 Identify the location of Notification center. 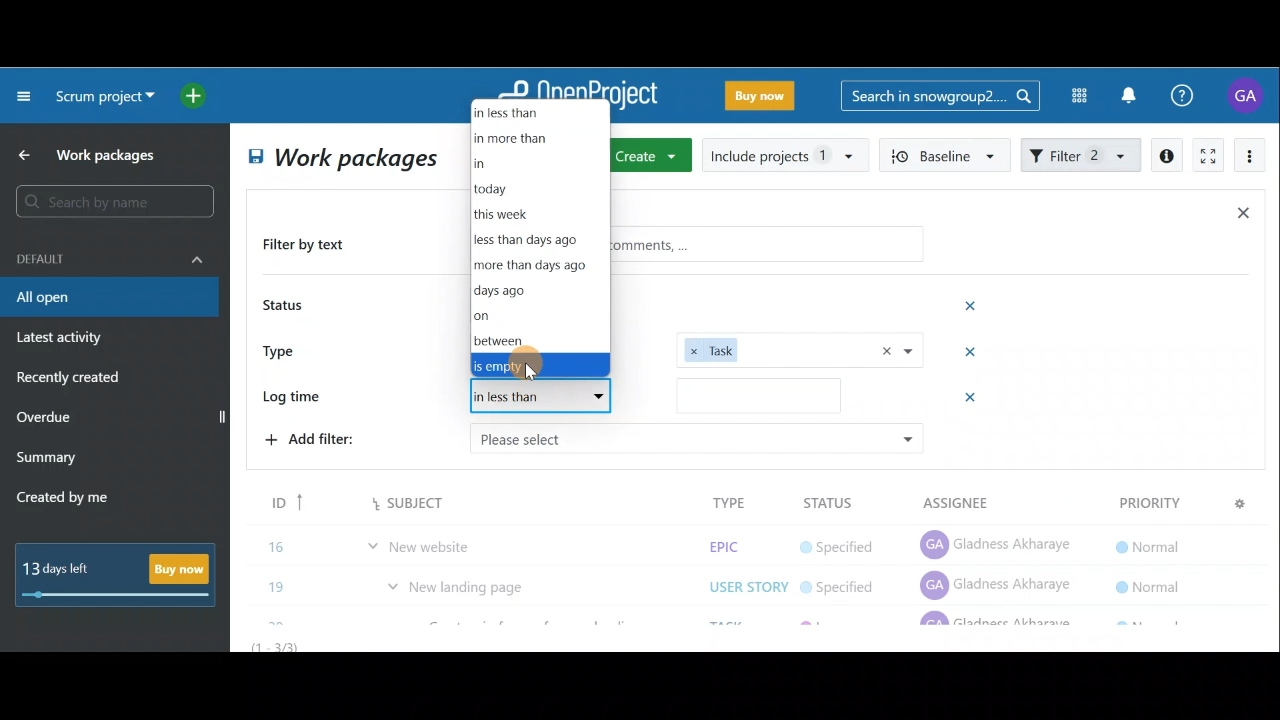
(1131, 93).